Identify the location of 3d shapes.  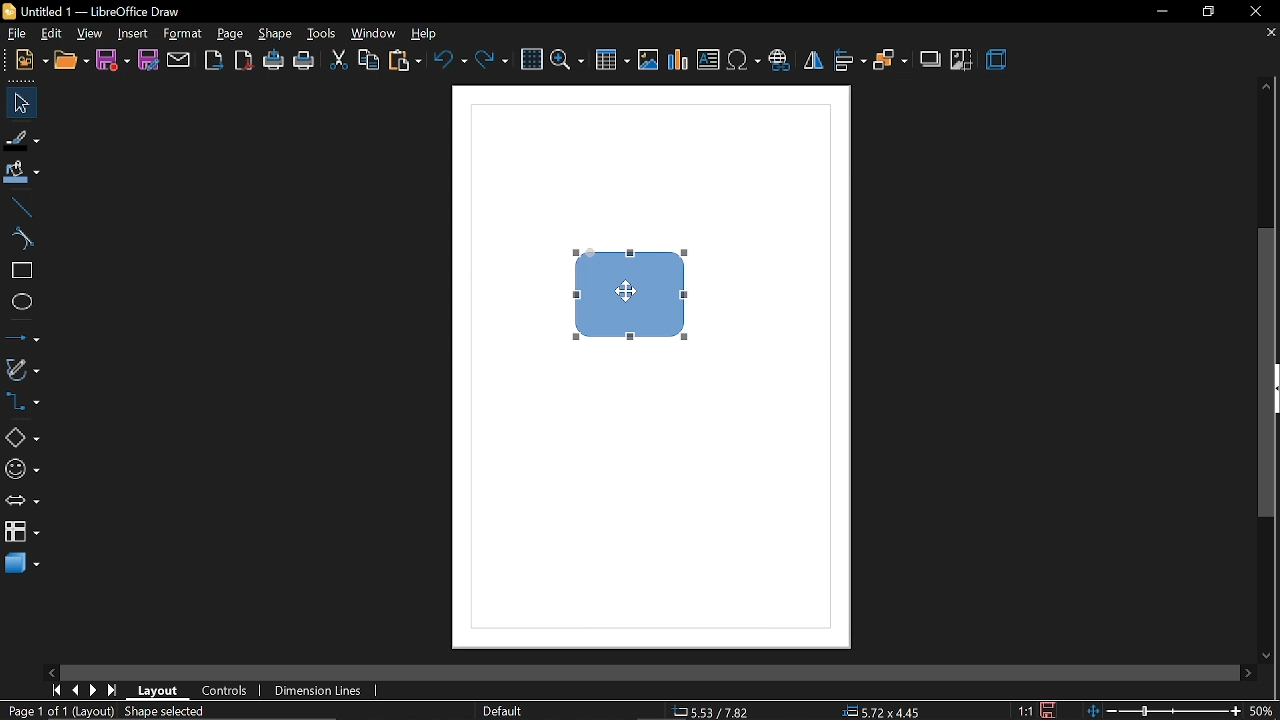
(22, 564).